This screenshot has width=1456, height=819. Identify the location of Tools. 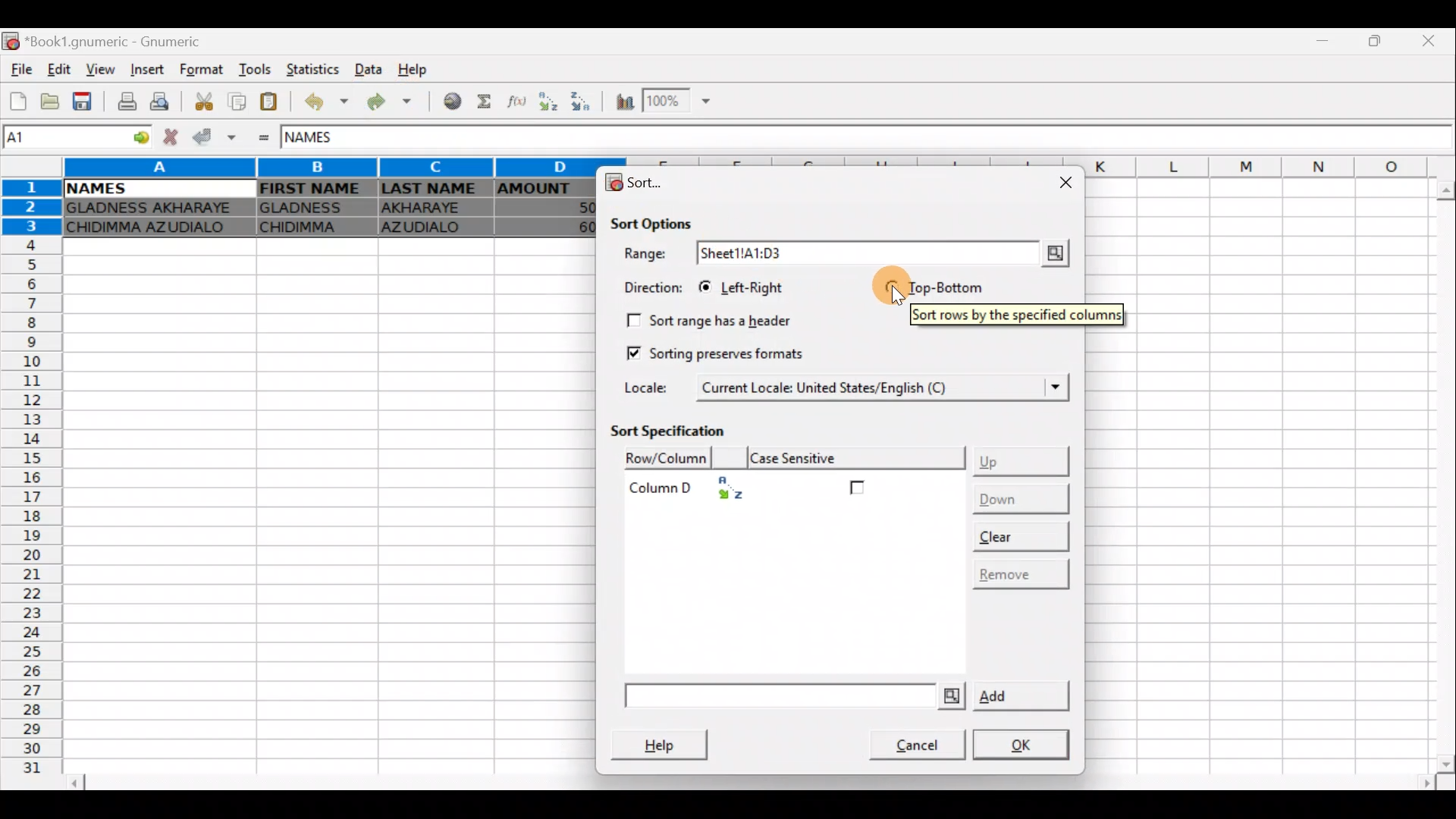
(258, 71).